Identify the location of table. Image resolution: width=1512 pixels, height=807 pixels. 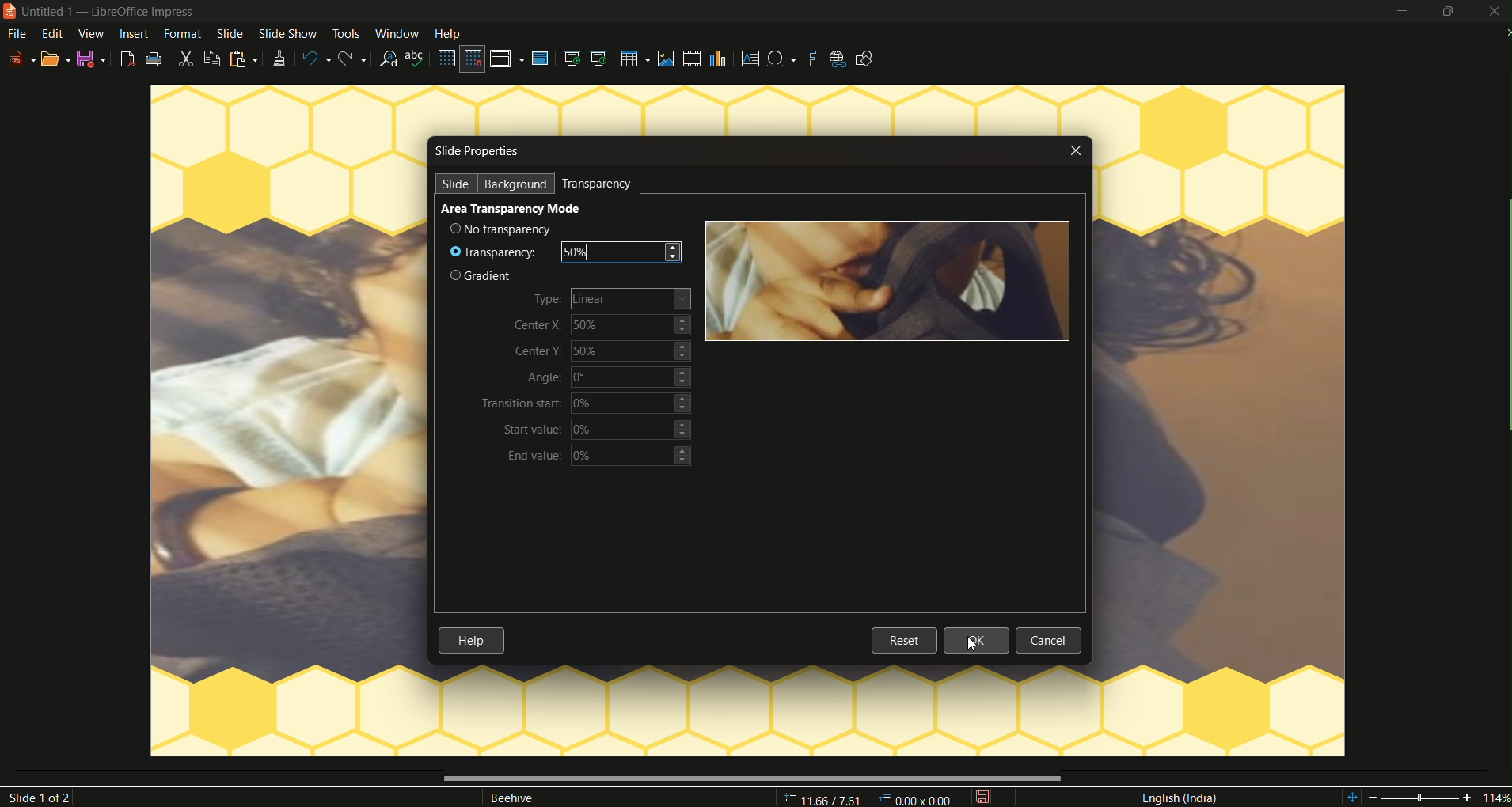
(635, 59).